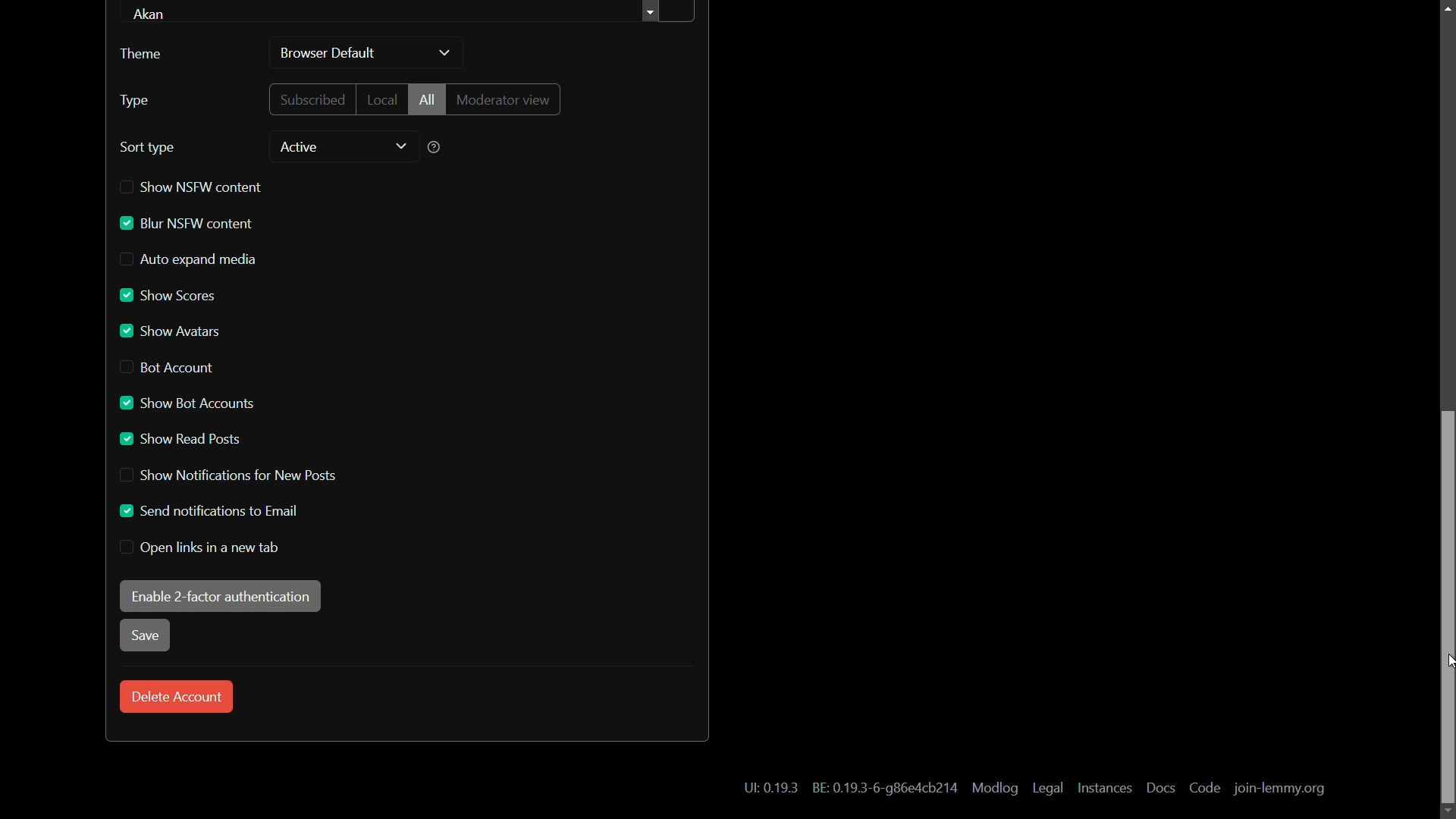 This screenshot has height=819, width=1456. Describe the element at coordinates (134, 101) in the screenshot. I see `type` at that location.